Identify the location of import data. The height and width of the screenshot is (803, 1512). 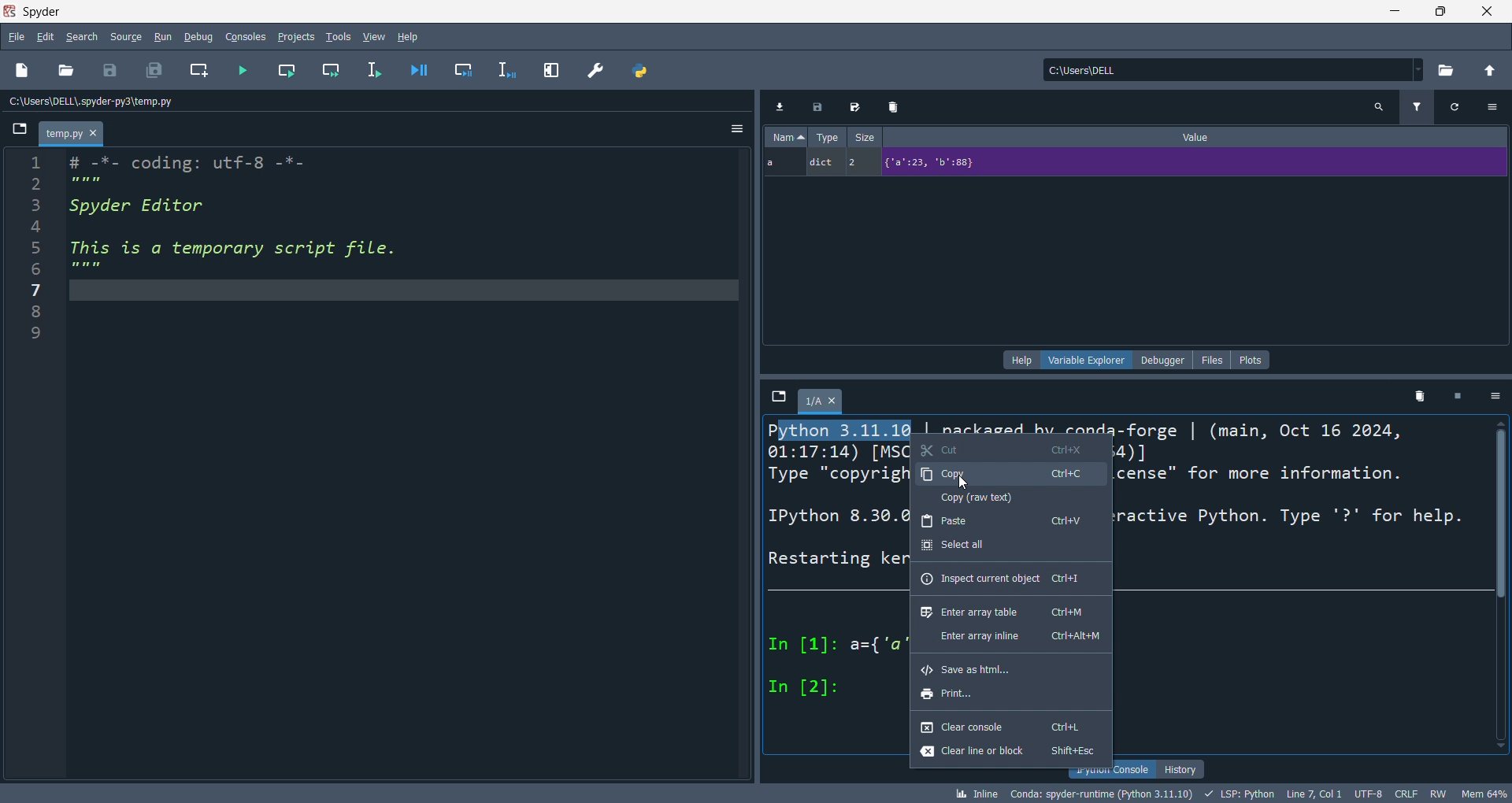
(779, 106).